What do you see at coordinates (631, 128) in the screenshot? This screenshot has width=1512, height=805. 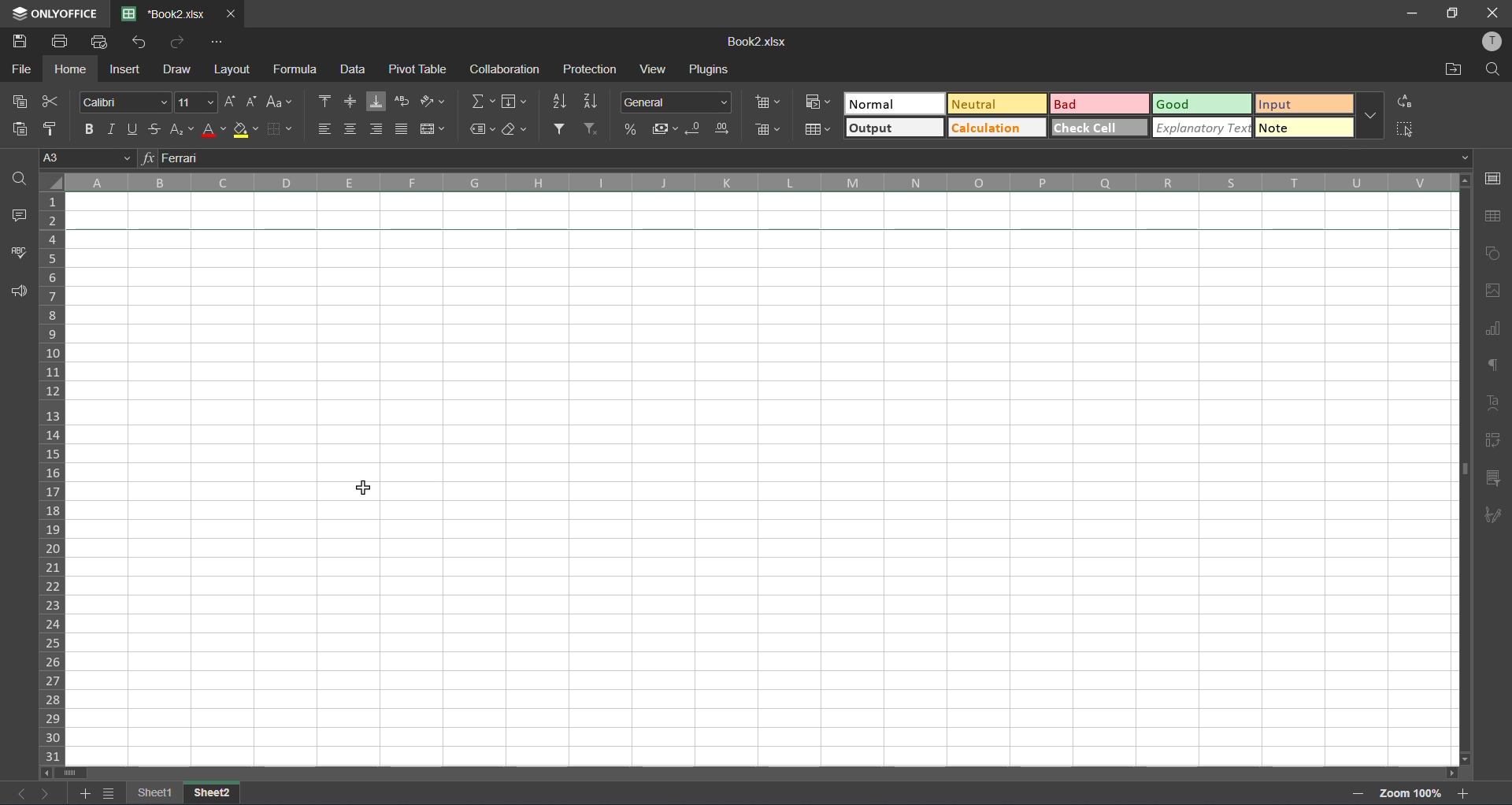 I see `percent` at bounding box center [631, 128].